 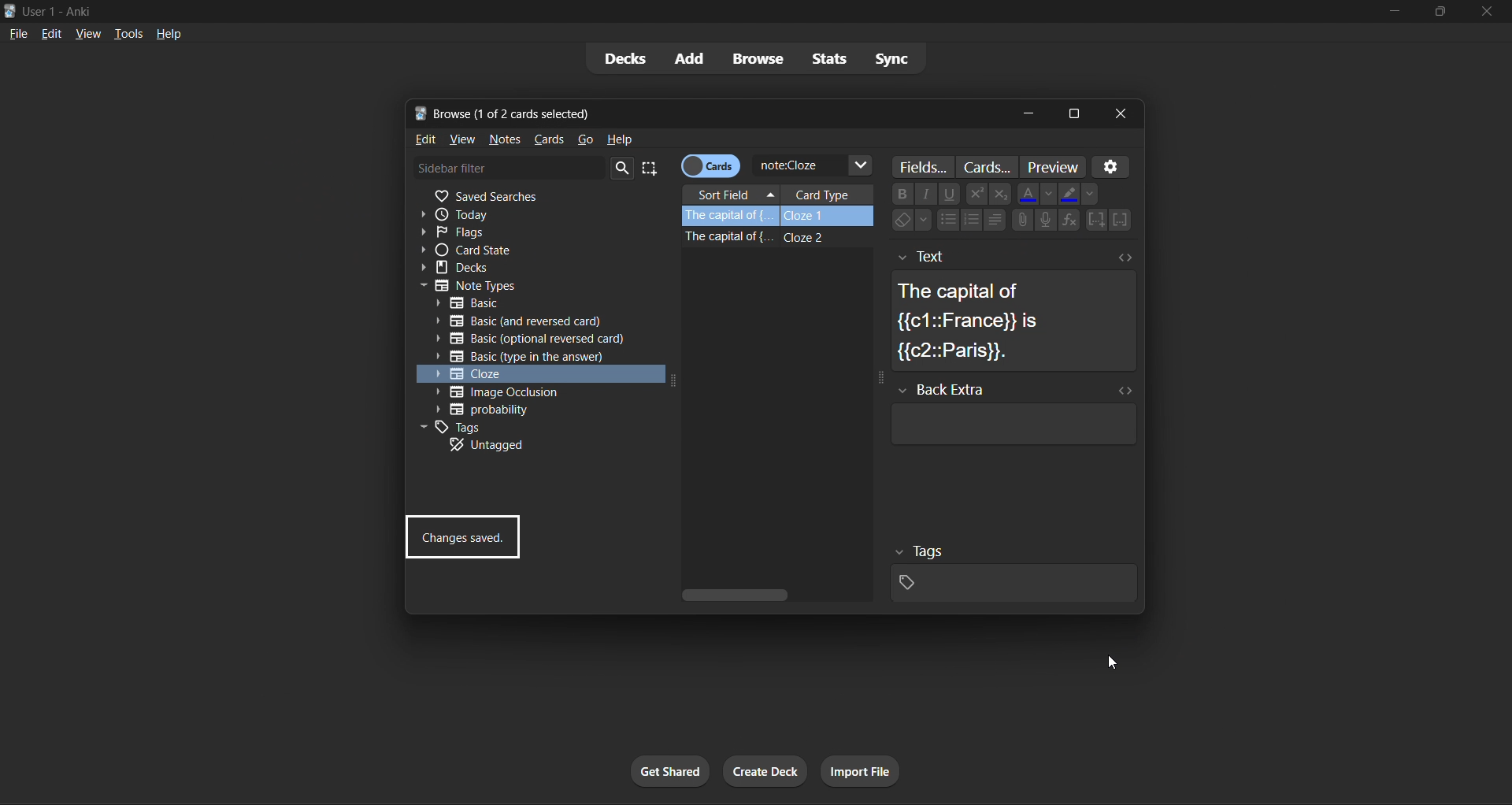 What do you see at coordinates (1014, 306) in the screenshot?
I see `selected card text` at bounding box center [1014, 306].